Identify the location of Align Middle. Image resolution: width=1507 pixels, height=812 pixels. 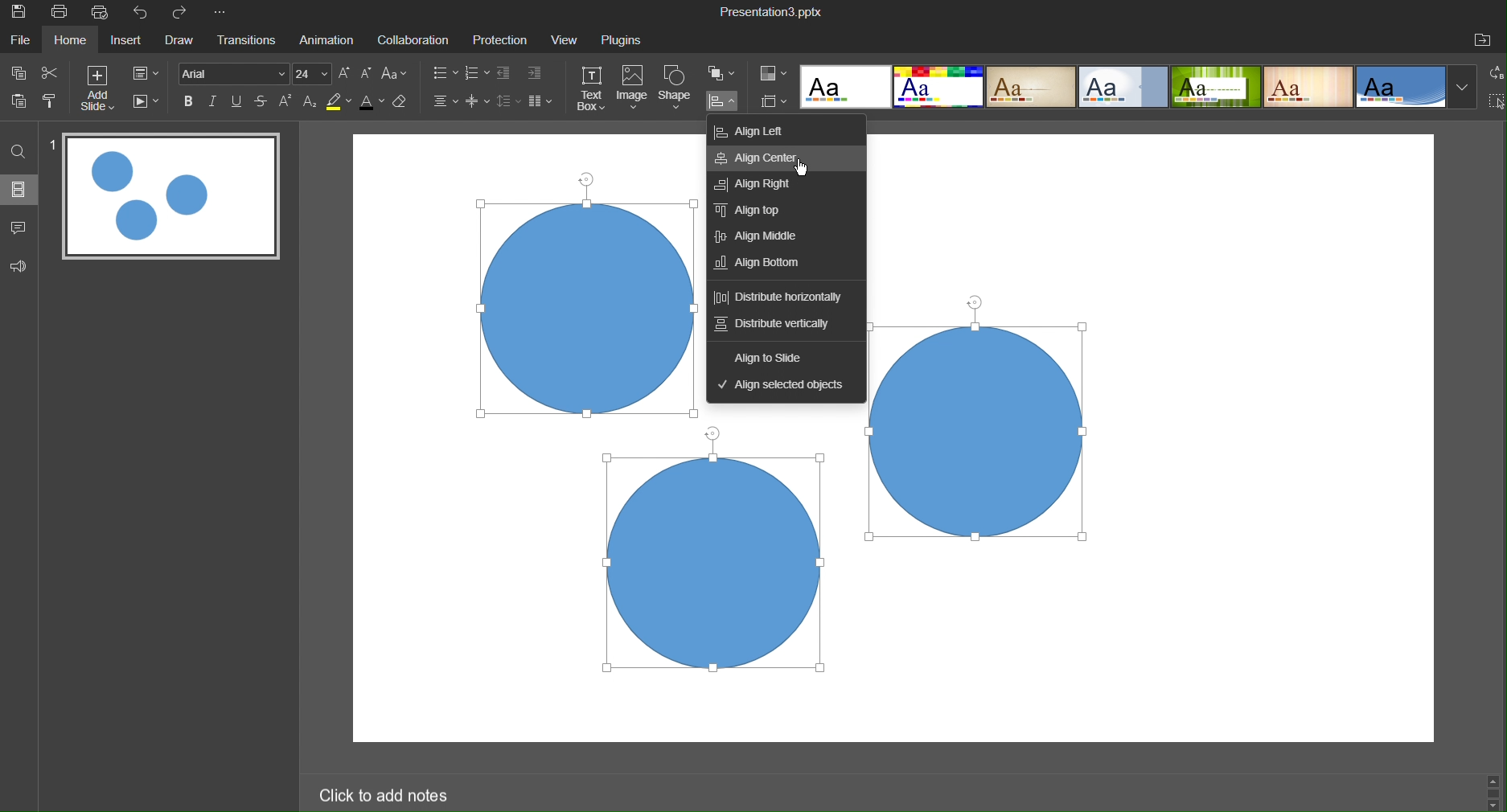
(760, 236).